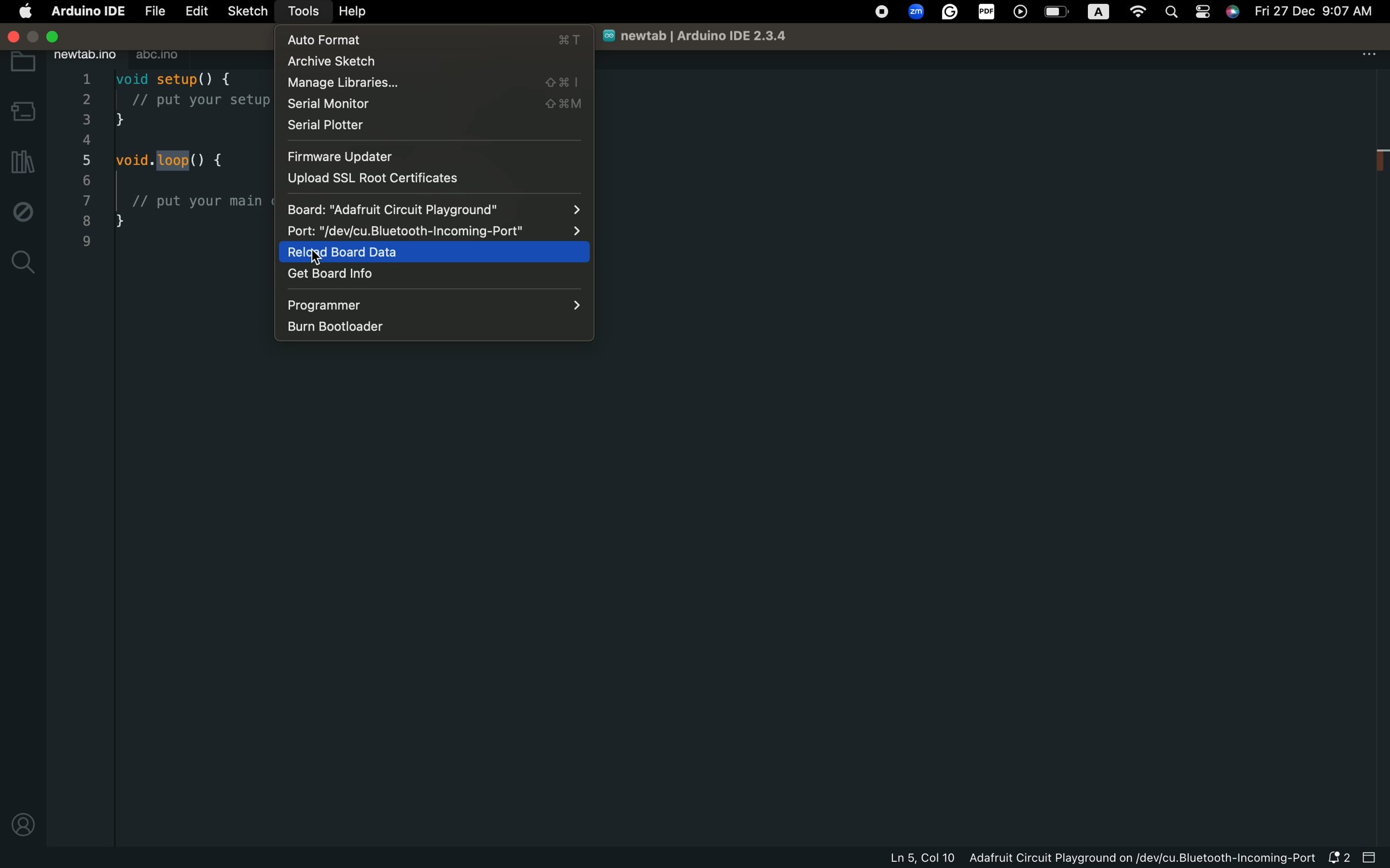 The image size is (1390, 868). What do you see at coordinates (248, 10) in the screenshot?
I see `sketch` at bounding box center [248, 10].